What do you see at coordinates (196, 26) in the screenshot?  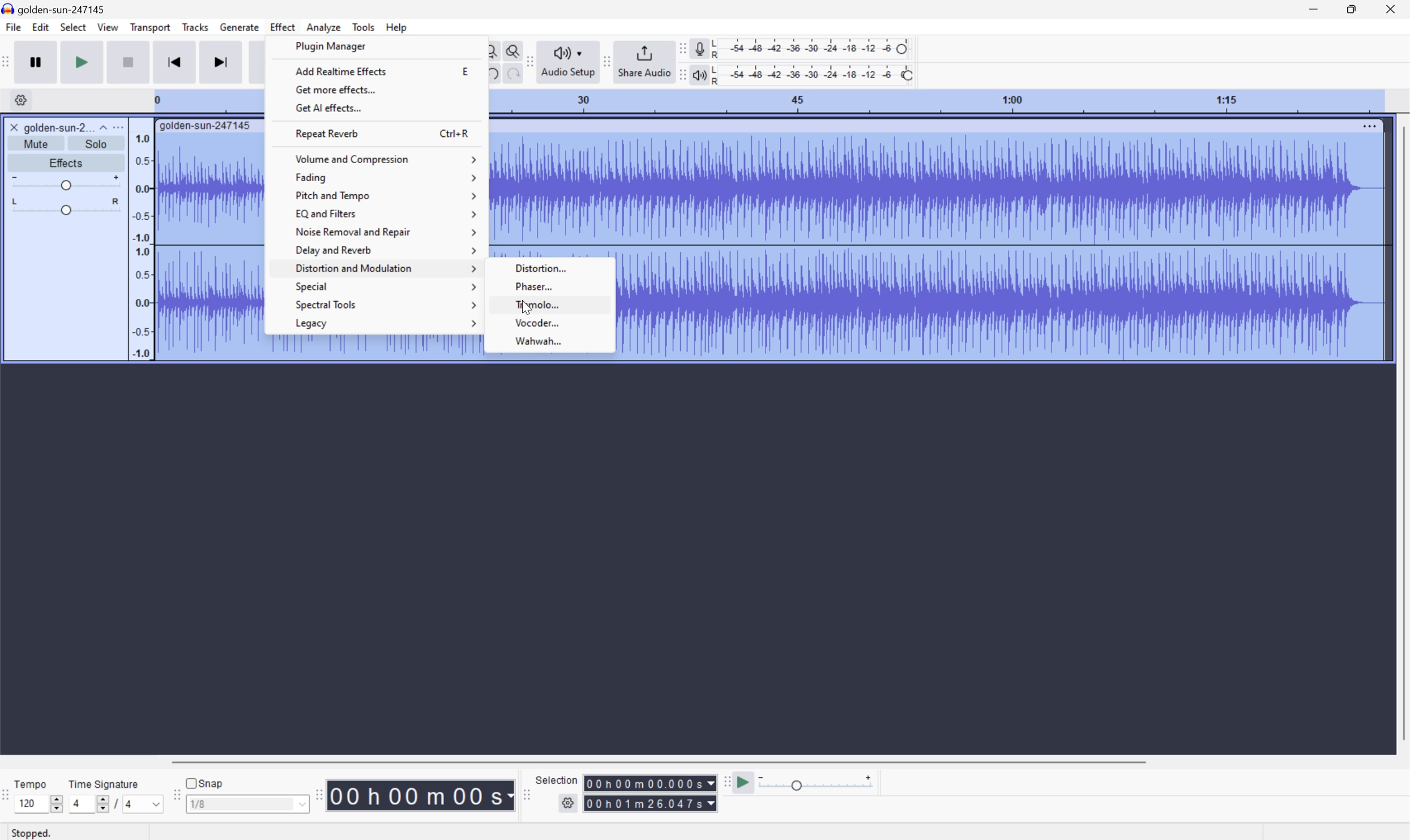 I see `Tracks` at bounding box center [196, 26].